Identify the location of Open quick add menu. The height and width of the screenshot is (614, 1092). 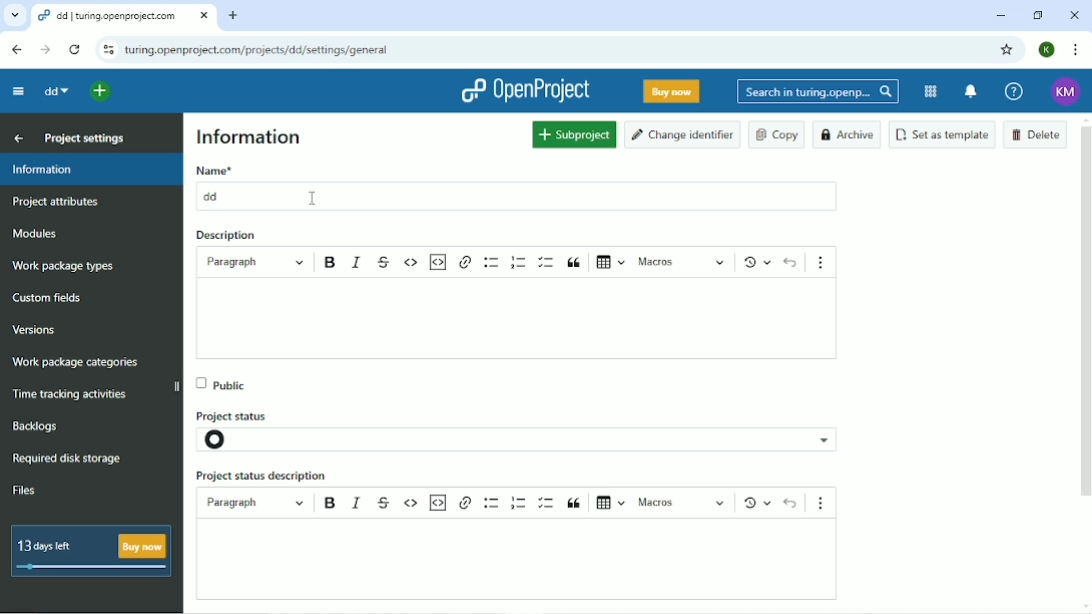
(104, 92).